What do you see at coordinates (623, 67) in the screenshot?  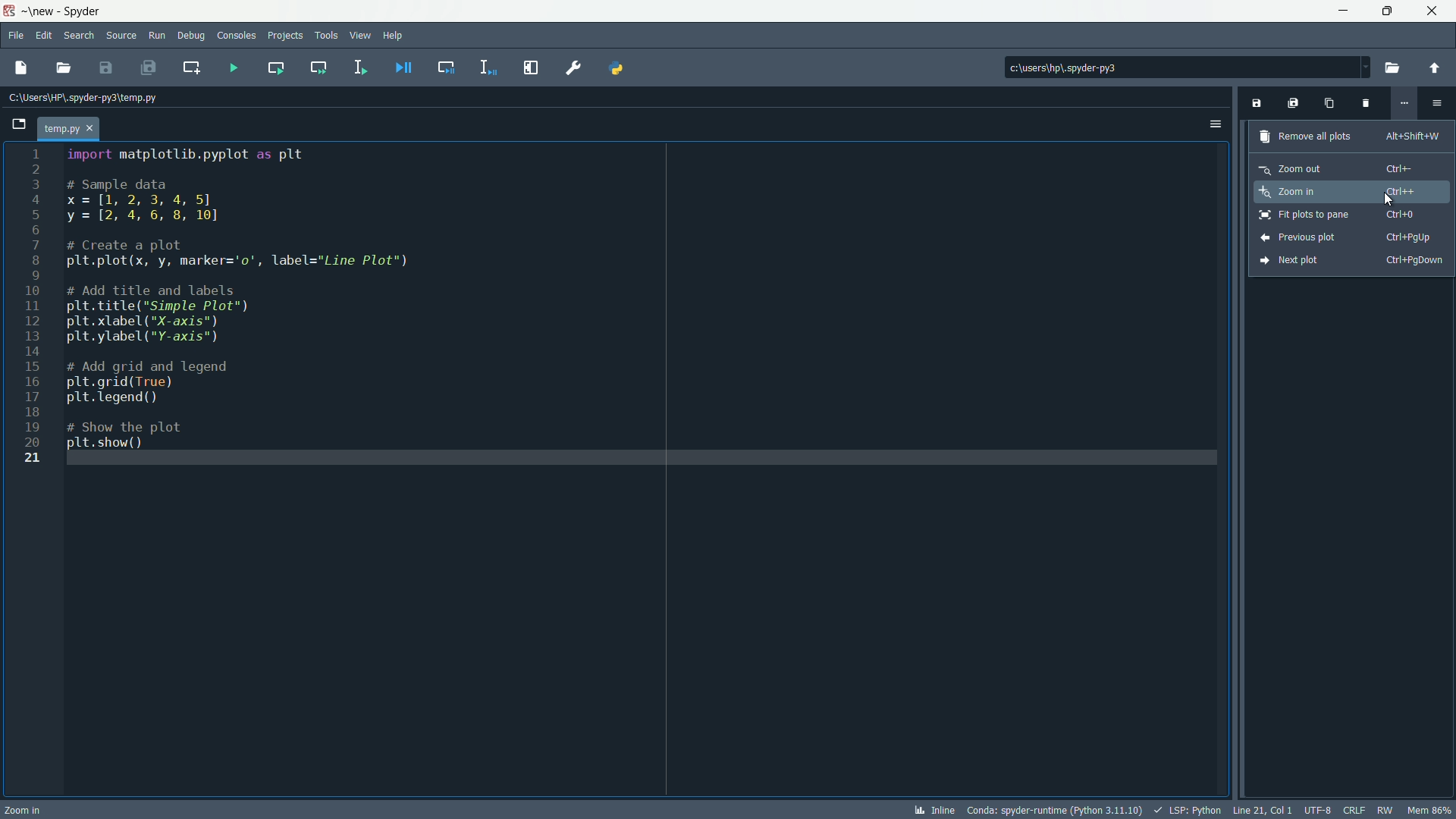 I see `PYTHONPATH manager` at bounding box center [623, 67].